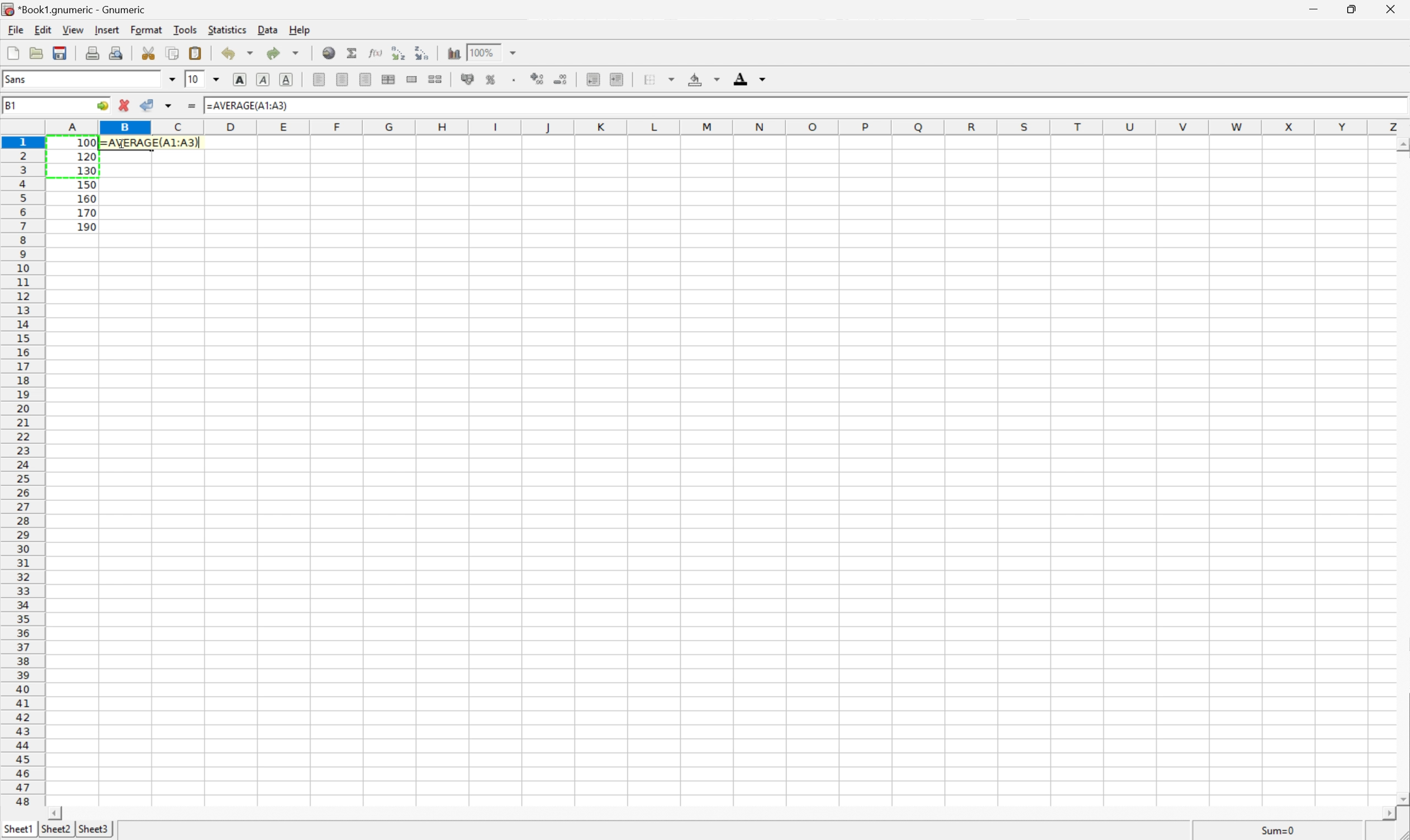 The width and height of the screenshot is (1410, 840). Describe the element at coordinates (73, 29) in the screenshot. I see `View` at that location.